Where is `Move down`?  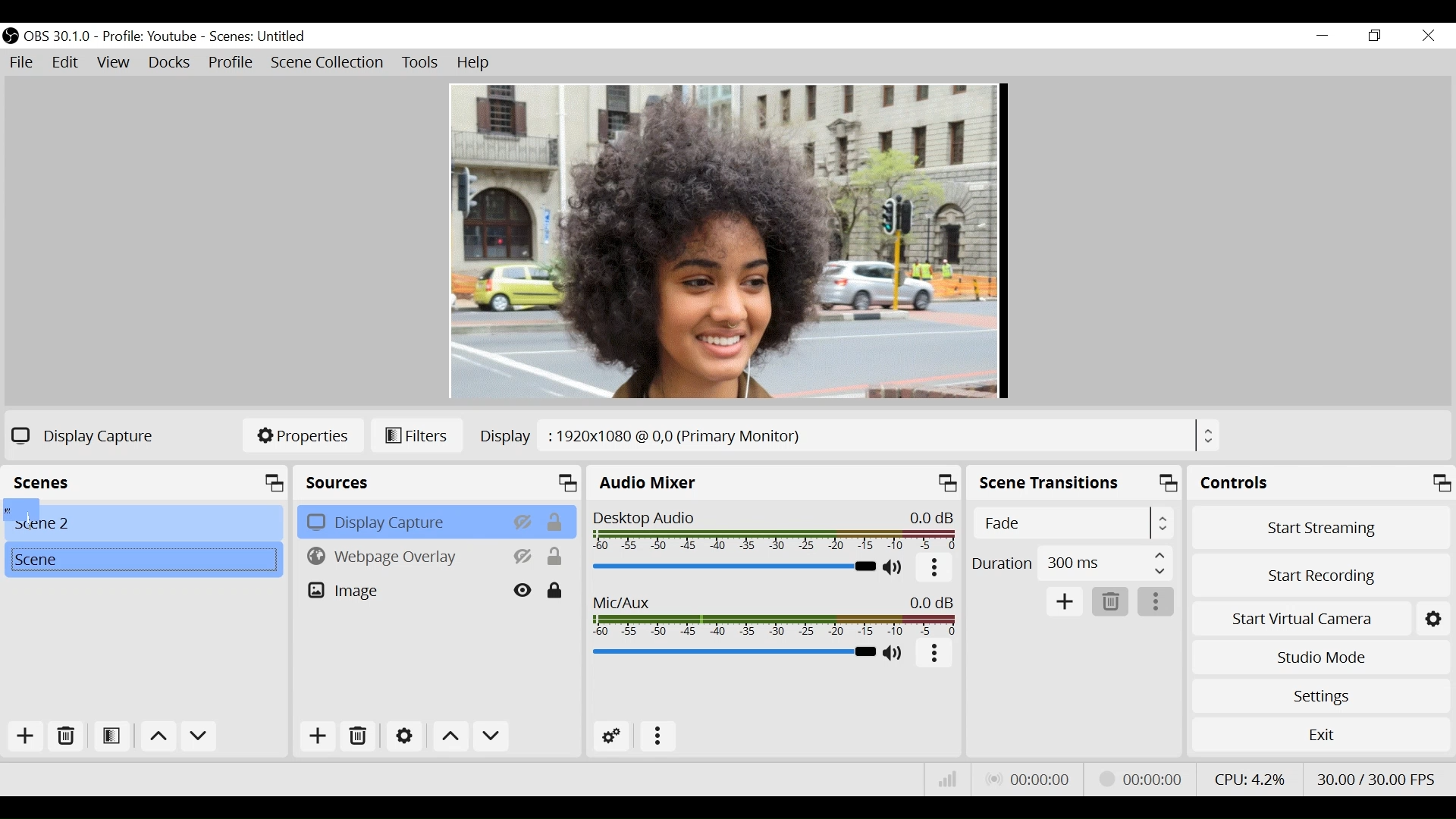 Move down is located at coordinates (490, 736).